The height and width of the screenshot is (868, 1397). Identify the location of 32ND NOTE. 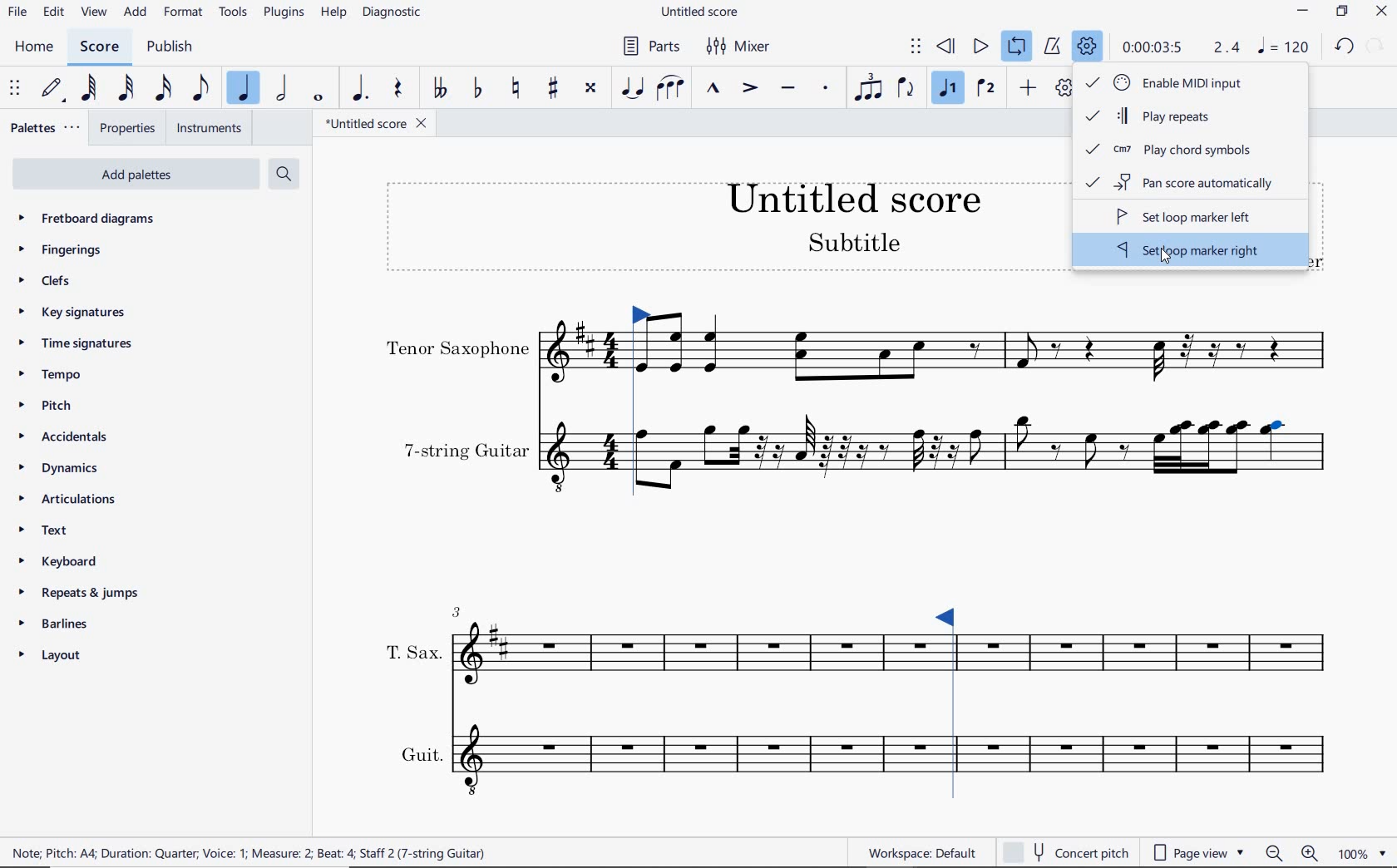
(125, 88).